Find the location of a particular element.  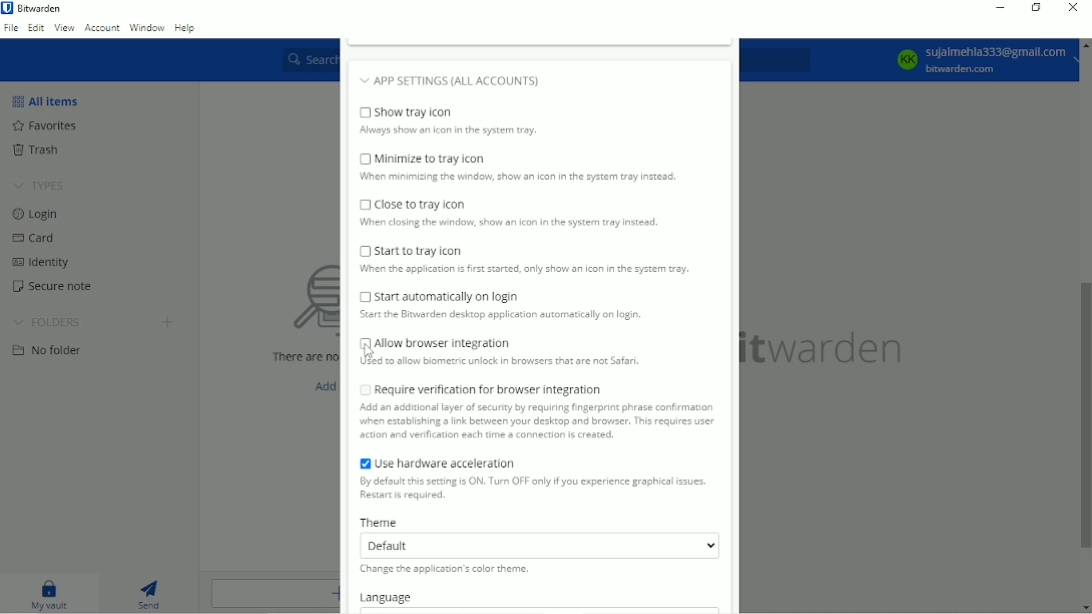

Start to tray icon is located at coordinates (414, 251).